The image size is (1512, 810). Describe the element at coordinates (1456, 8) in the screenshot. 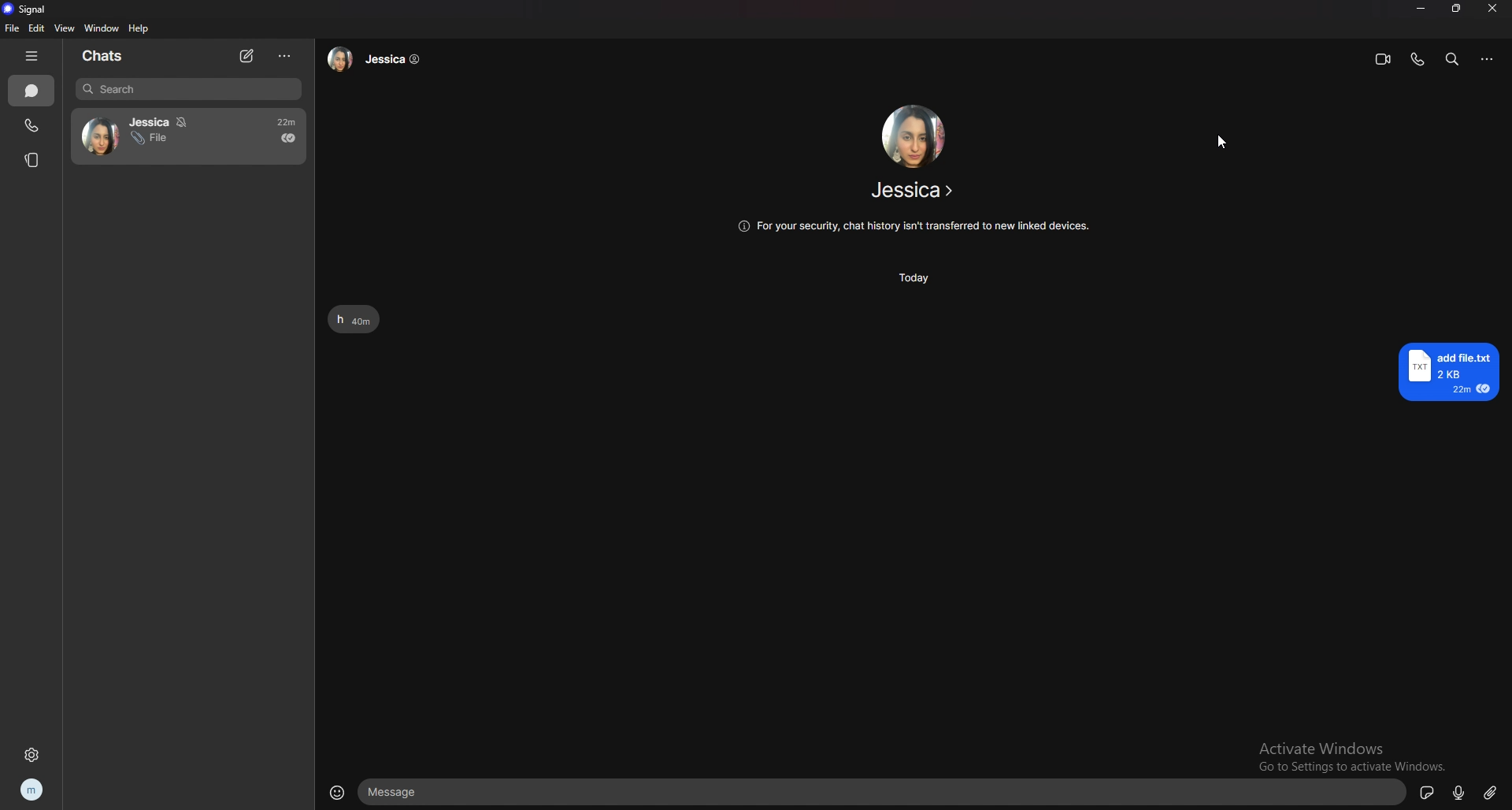

I see `resize` at that location.